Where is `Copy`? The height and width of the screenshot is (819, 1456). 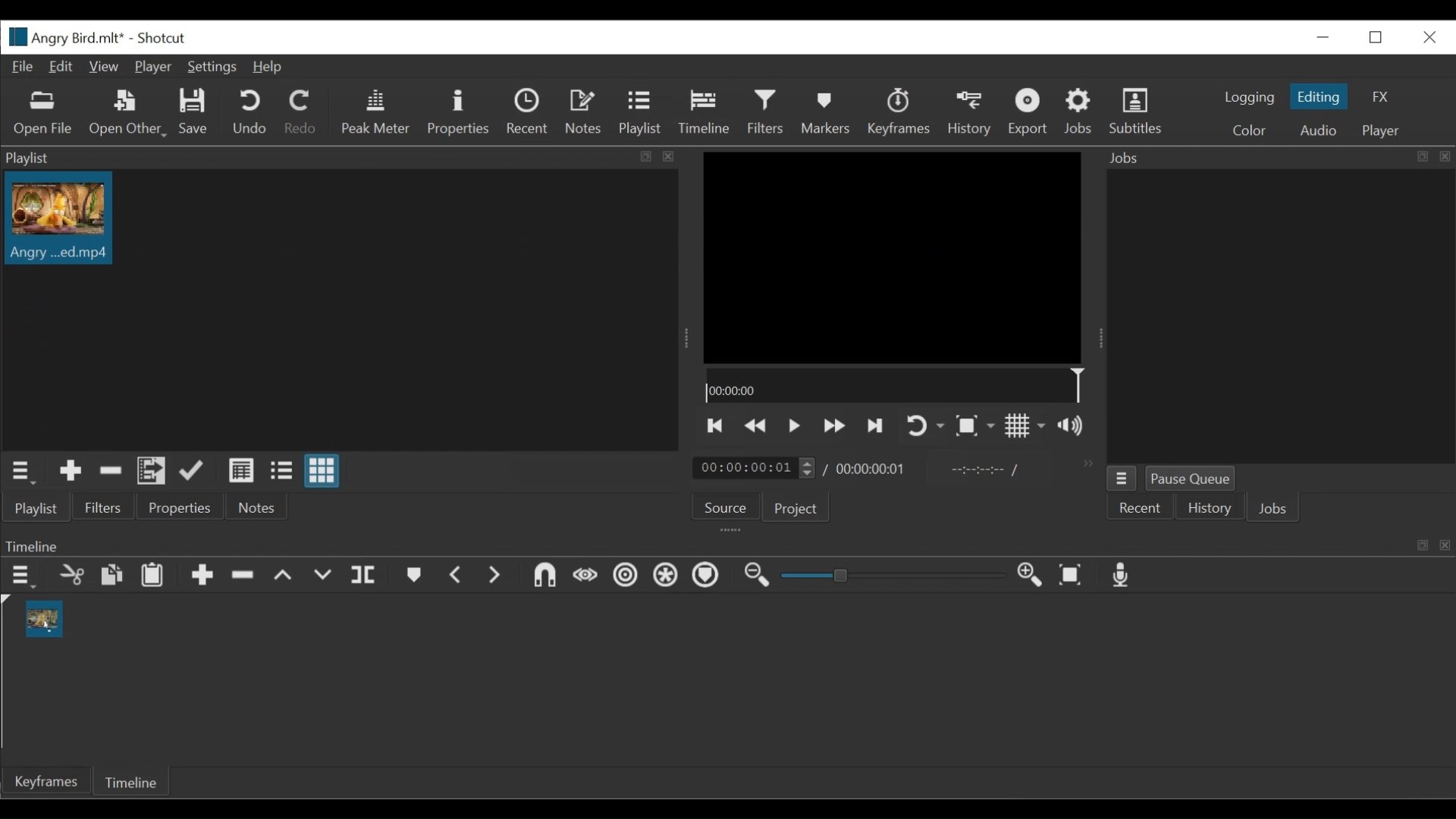 Copy is located at coordinates (111, 574).